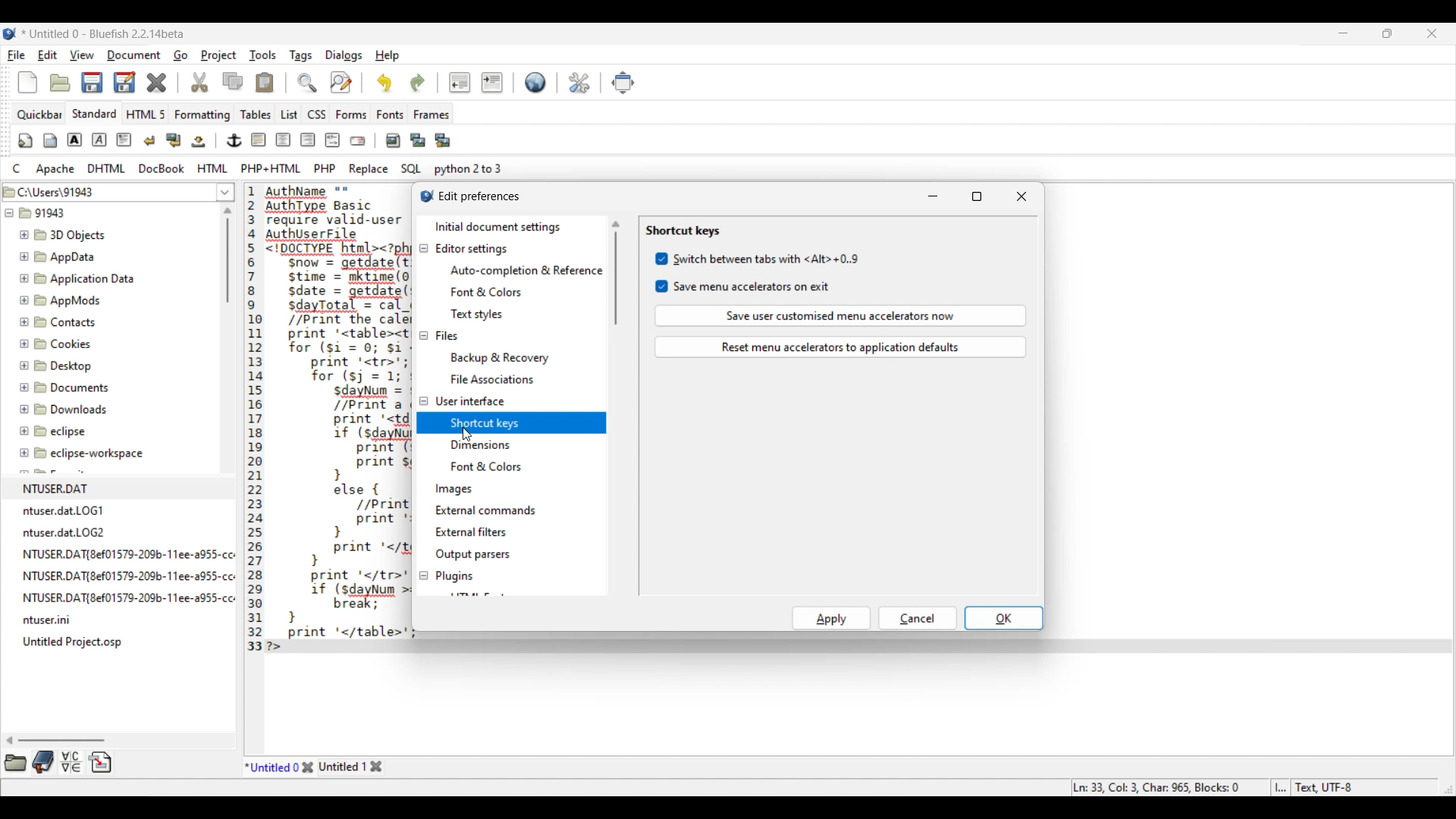  What do you see at coordinates (300, 55) in the screenshot?
I see `Tags menu` at bounding box center [300, 55].